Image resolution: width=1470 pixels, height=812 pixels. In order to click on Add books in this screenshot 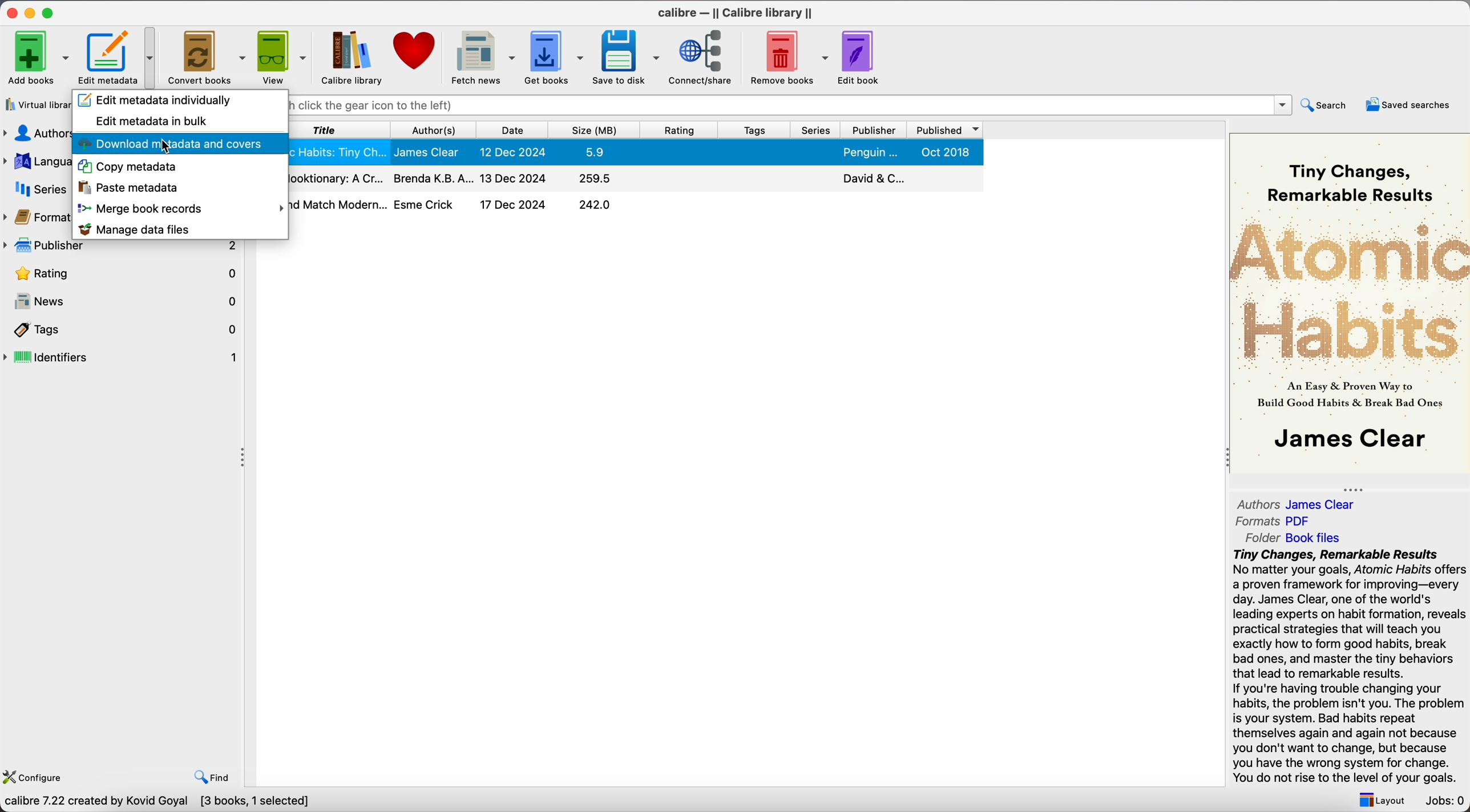, I will do `click(37, 58)`.